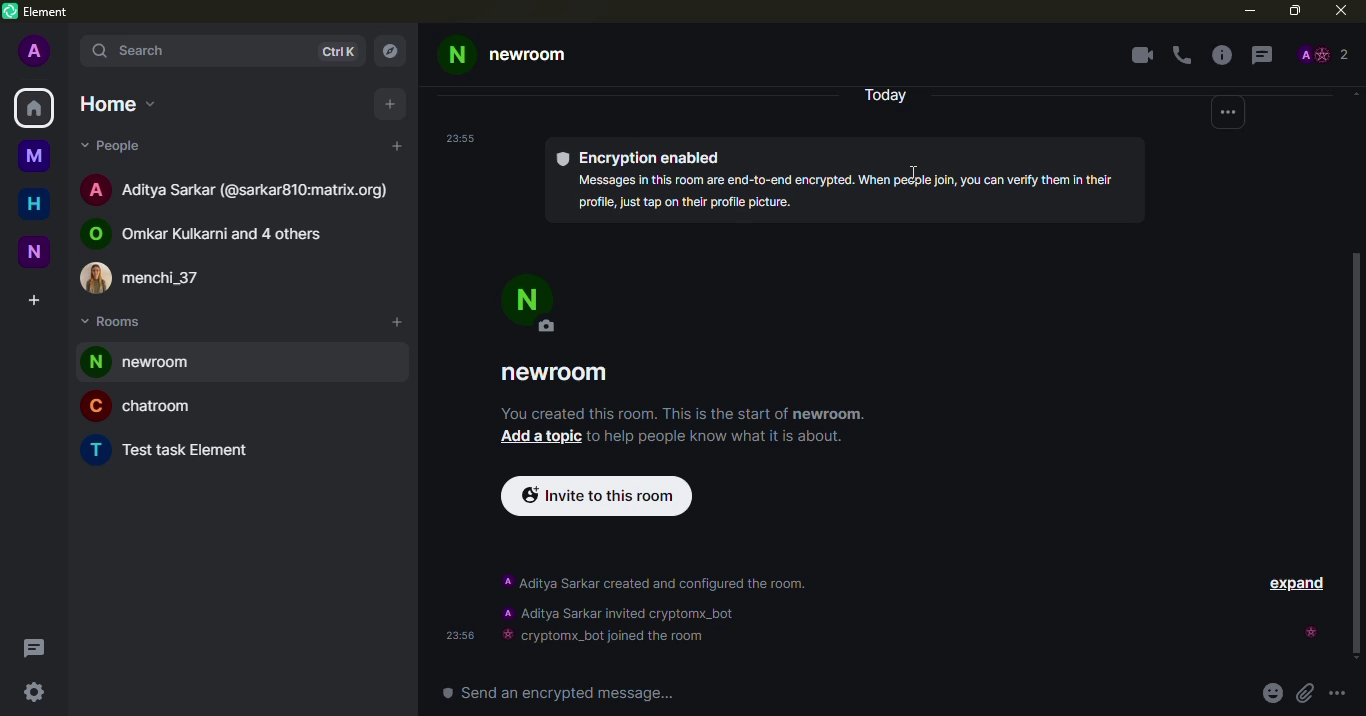  I want to click on today, so click(883, 94).